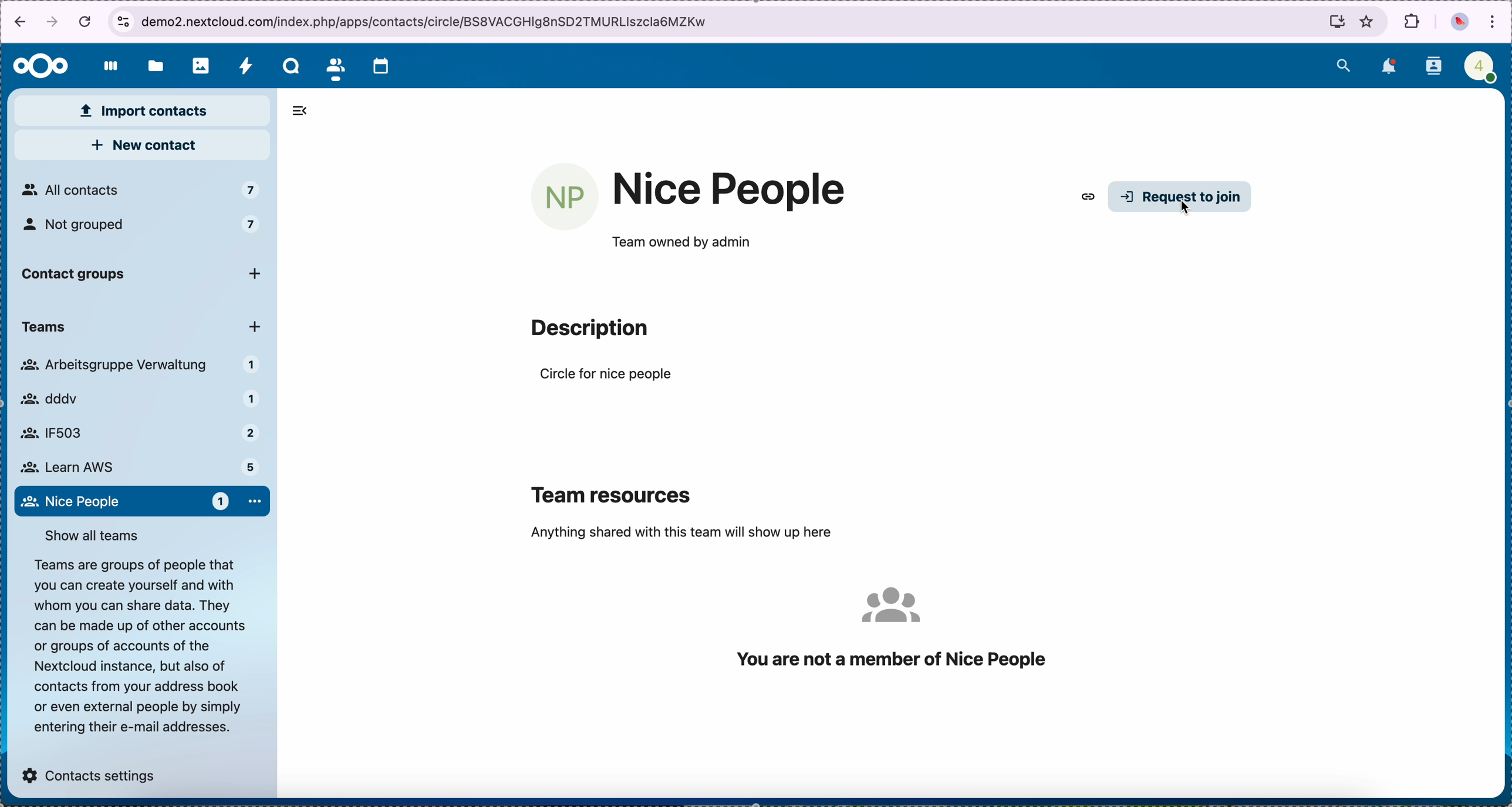 This screenshot has width=1512, height=807. What do you see at coordinates (681, 532) in the screenshot?
I see `anything shared with this team will show up here` at bounding box center [681, 532].